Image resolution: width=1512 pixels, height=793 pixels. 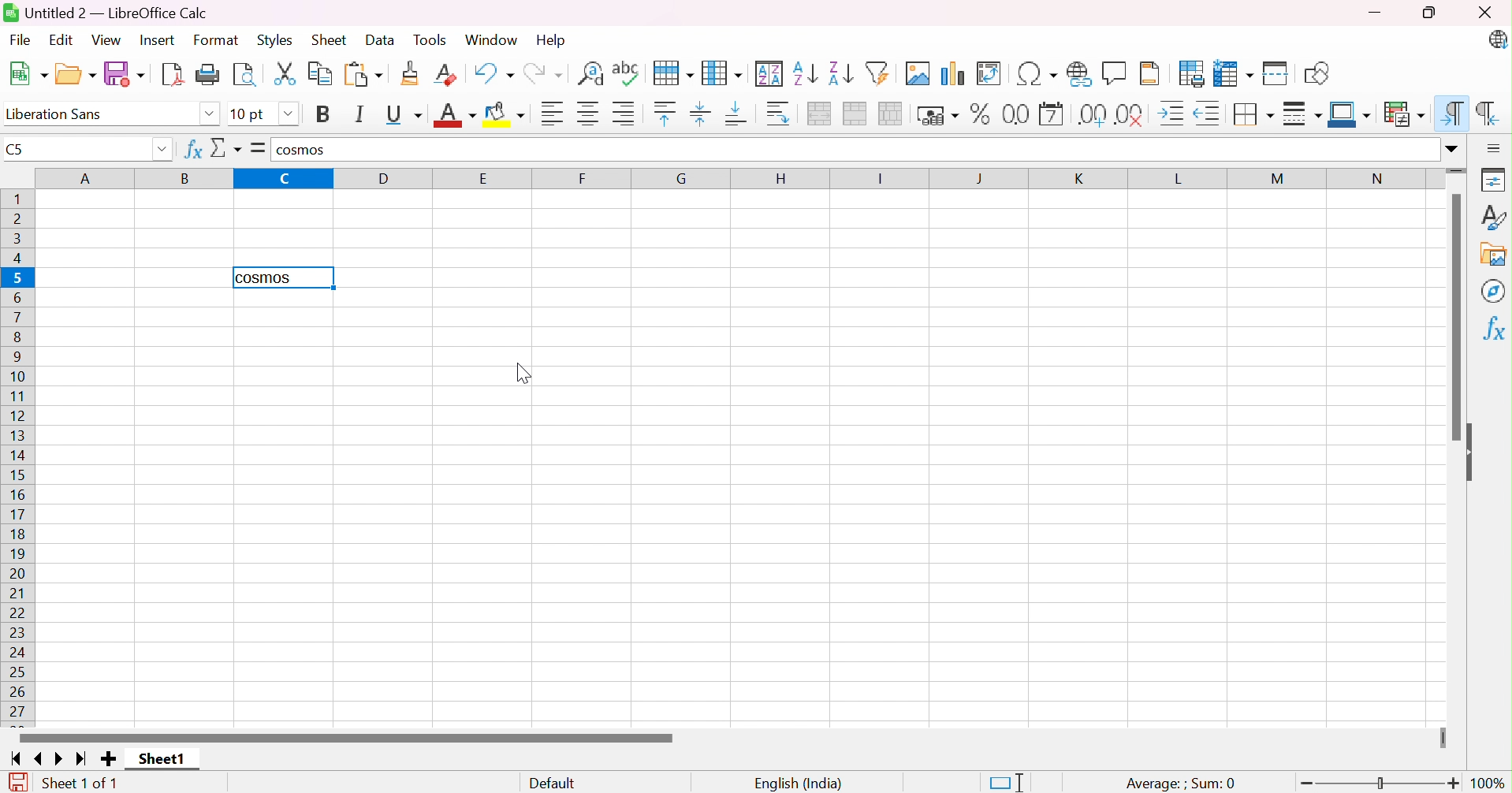 I want to click on 100%, so click(x=1492, y=784).